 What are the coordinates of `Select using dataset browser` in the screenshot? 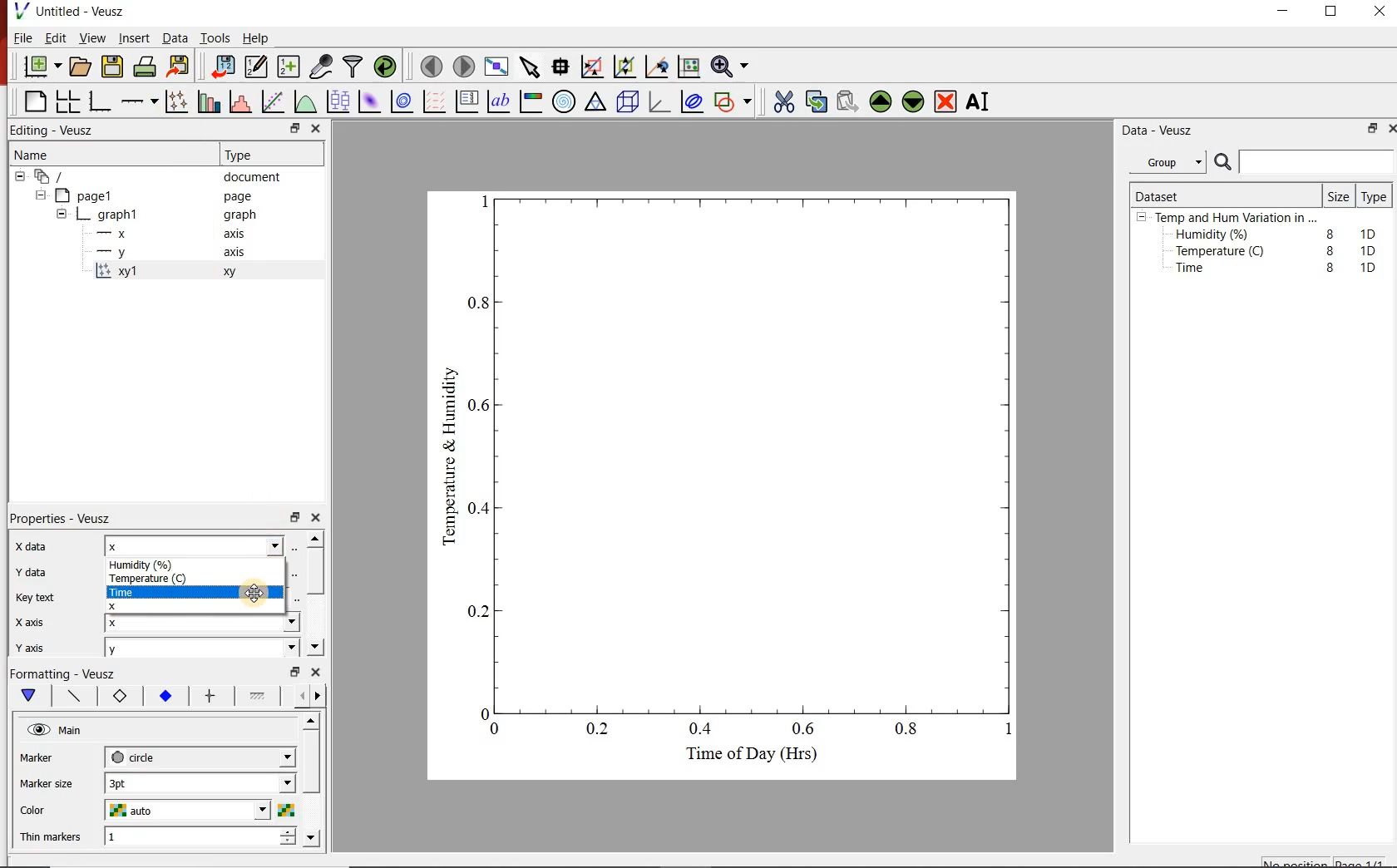 It's located at (295, 572).